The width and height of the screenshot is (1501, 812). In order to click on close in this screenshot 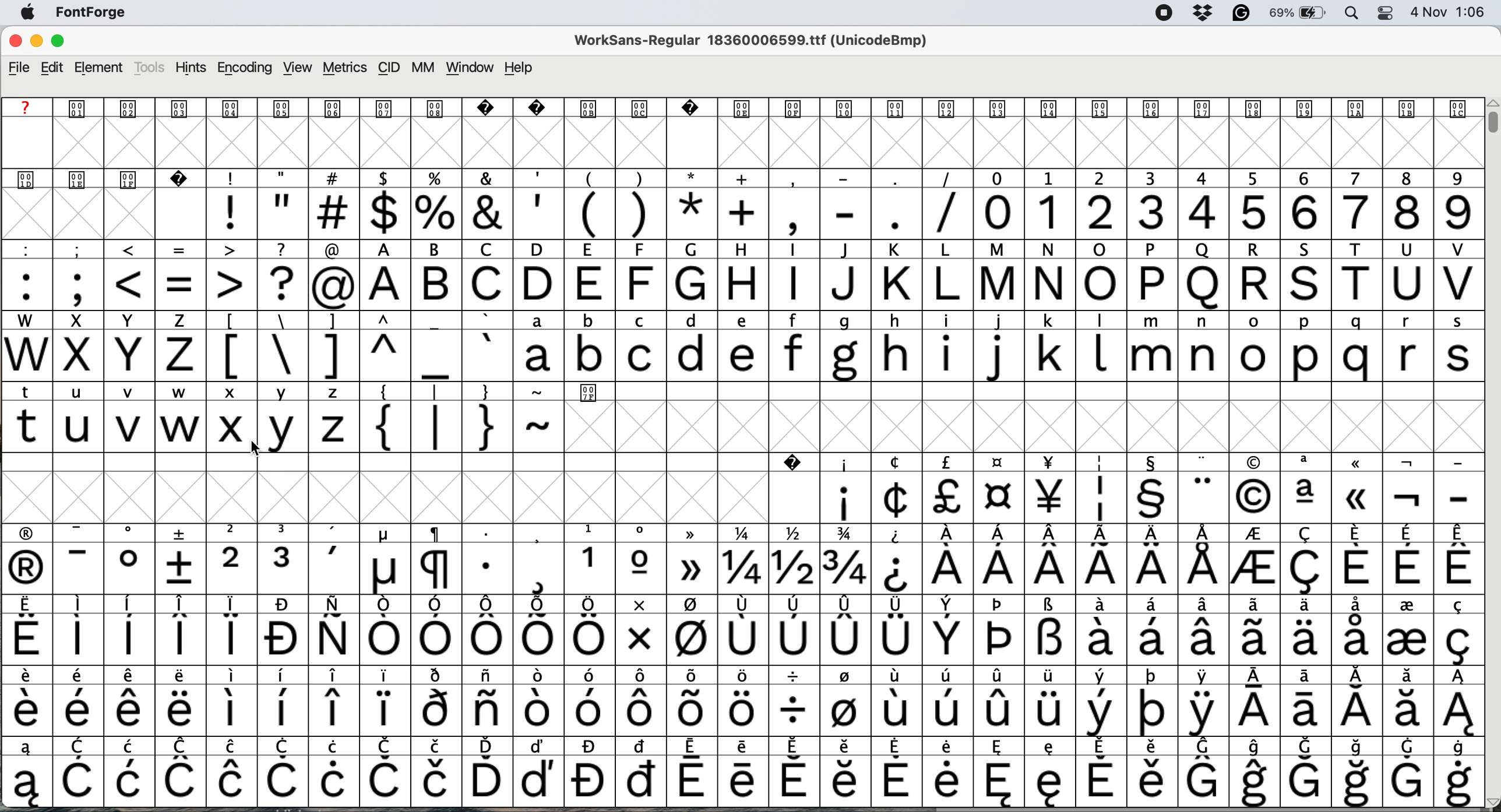, I will do `click(15, 43)`.